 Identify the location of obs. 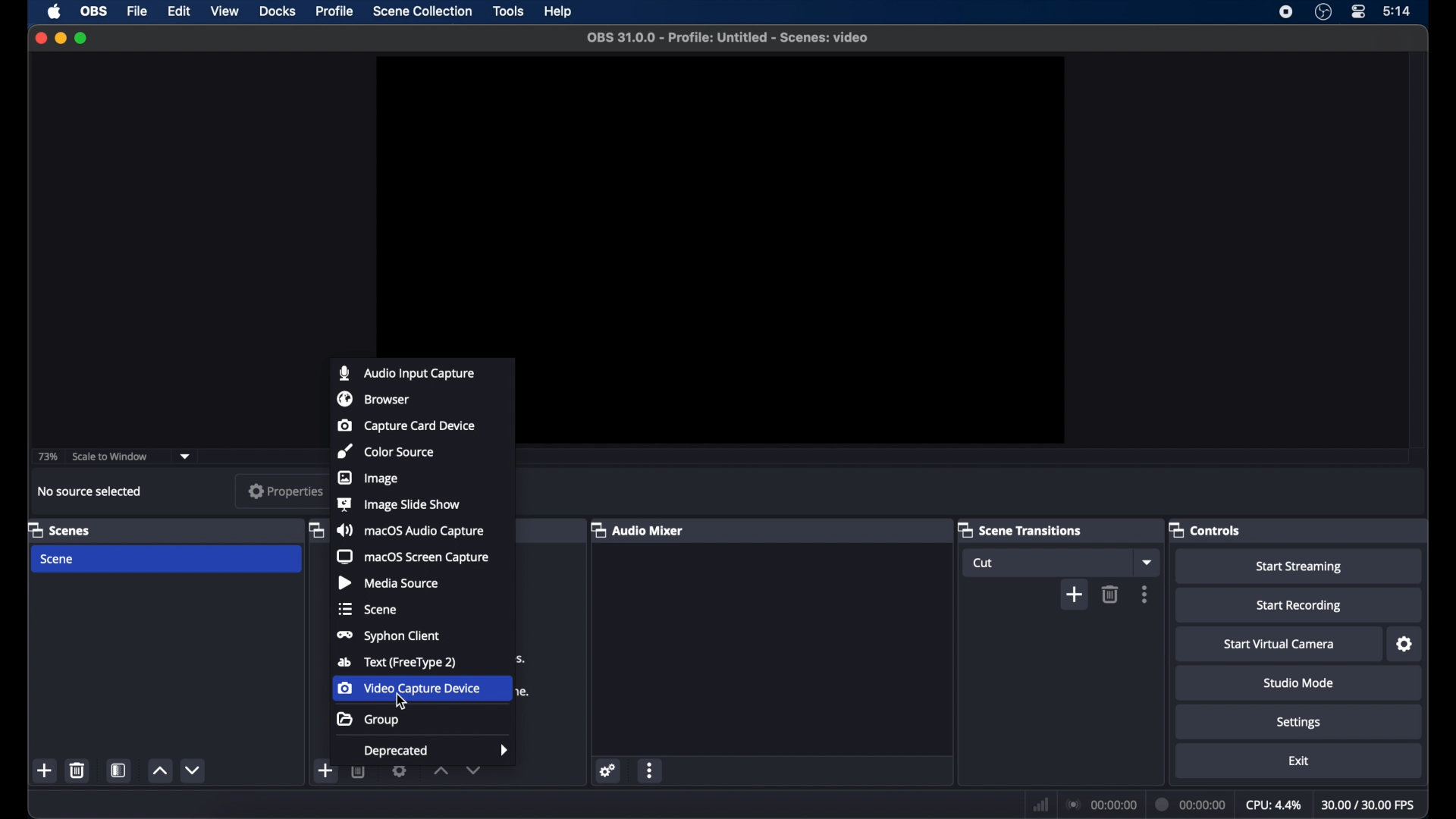
(94, 11).